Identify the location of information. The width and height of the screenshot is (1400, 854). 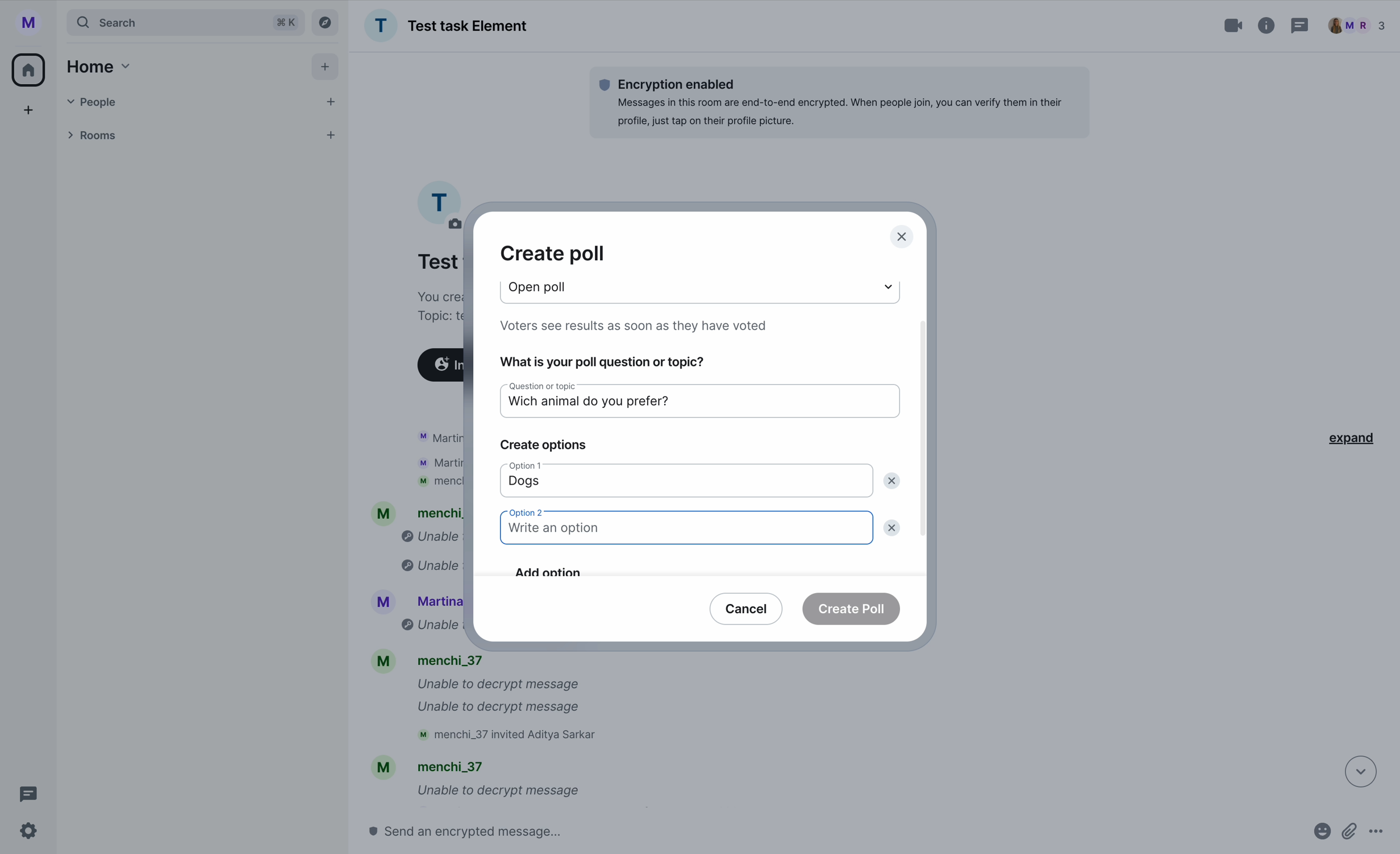
(1267, 23).